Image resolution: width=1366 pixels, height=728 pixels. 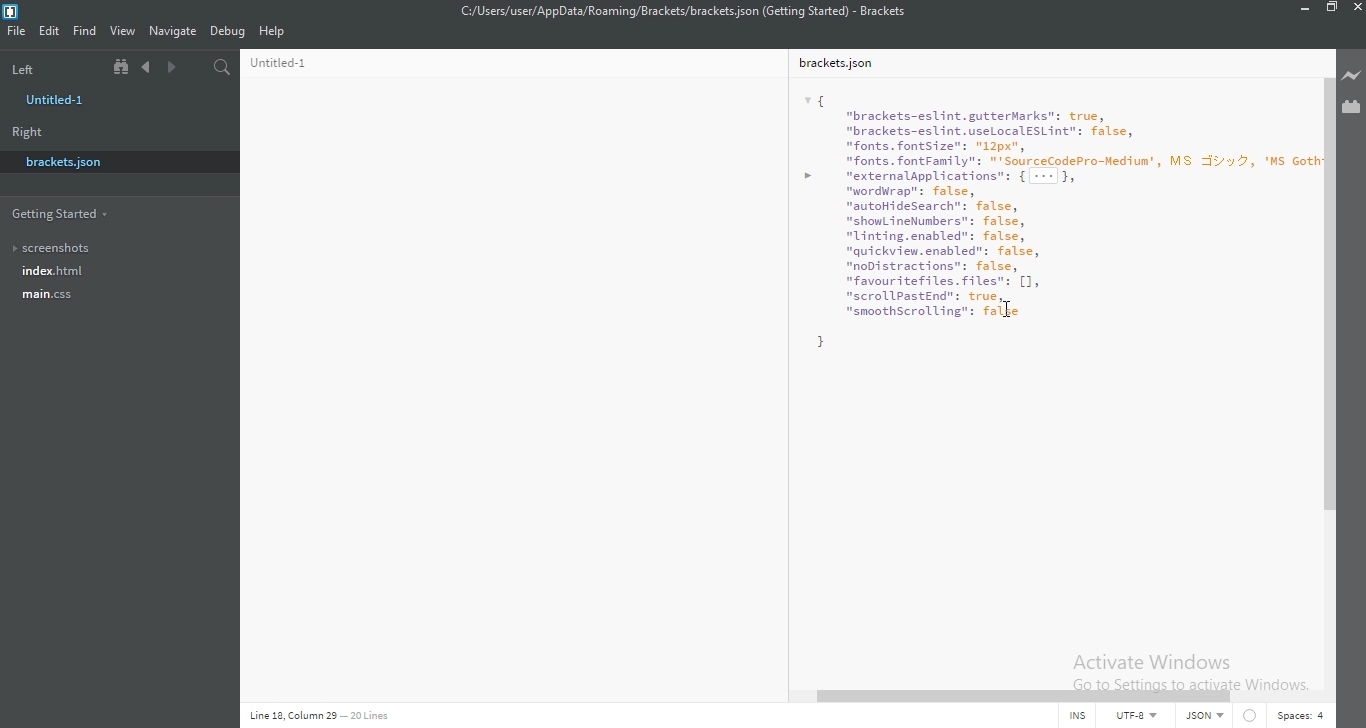 What do you see at coordinates (174, 30) in the screenshot?
I see `Navigate` at bounding box center [174, 30].